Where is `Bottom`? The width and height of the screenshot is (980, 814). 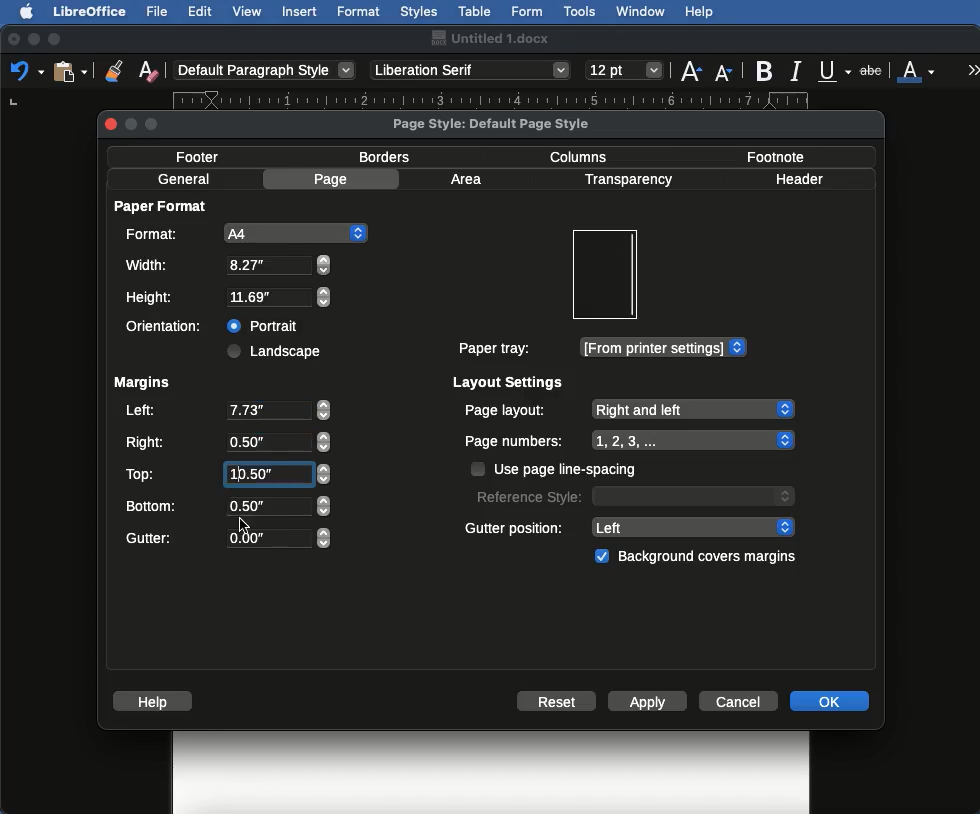
Bottom is located at coordinates (227, 504).